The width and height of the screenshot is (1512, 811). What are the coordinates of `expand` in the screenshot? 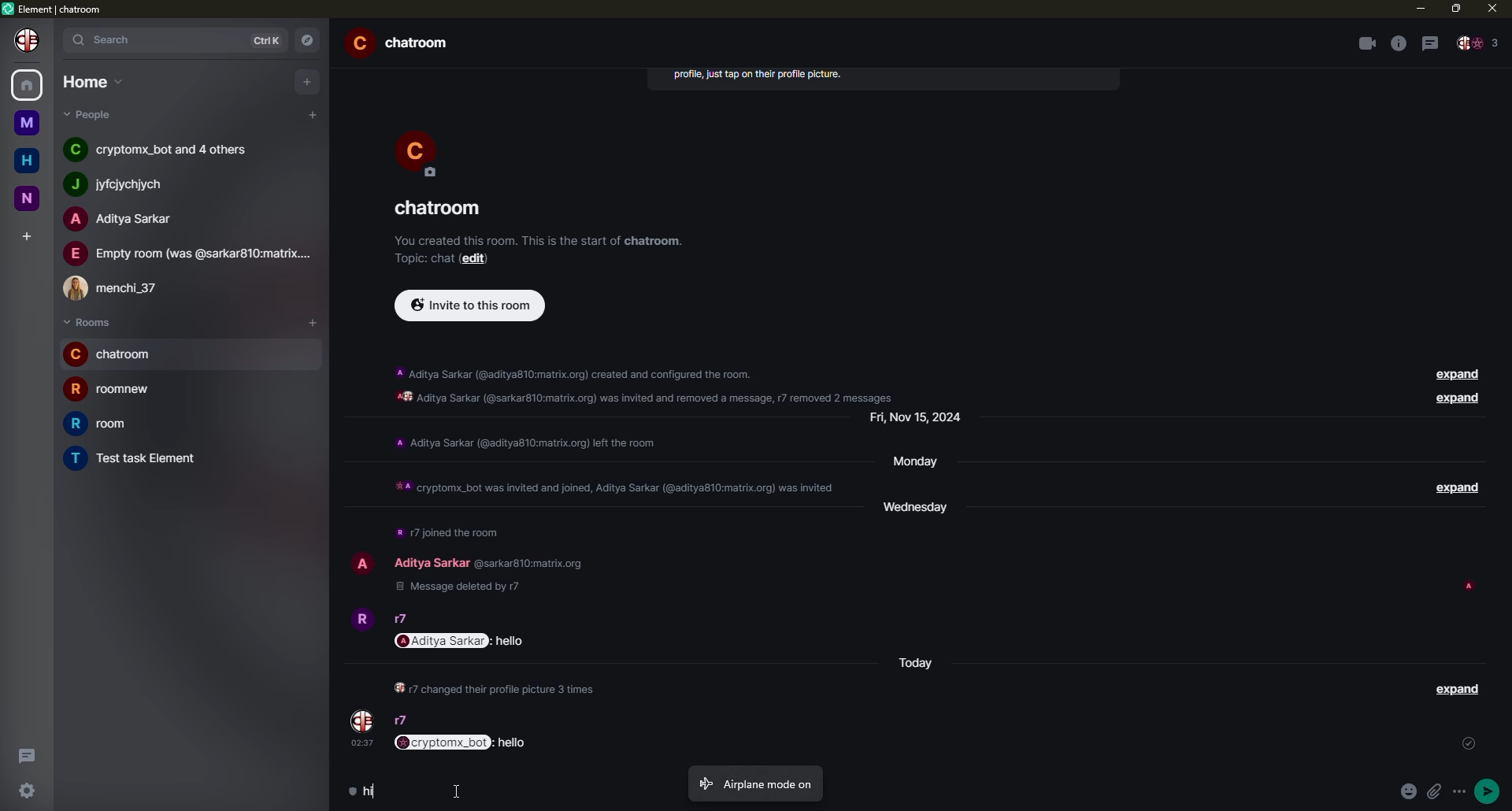 It's located at (1458, 374).